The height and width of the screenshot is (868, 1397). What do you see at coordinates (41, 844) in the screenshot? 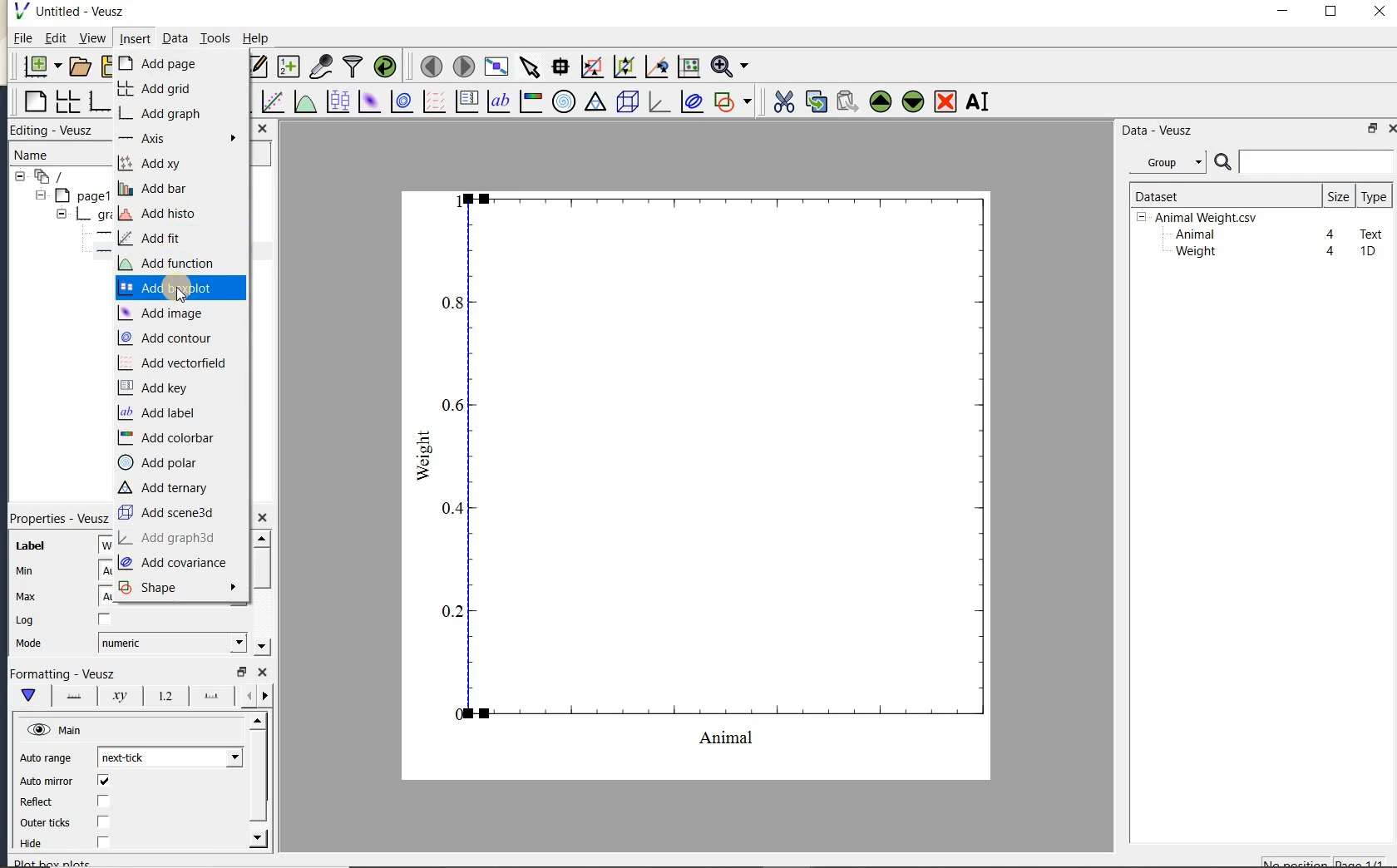
I see `hide` at bounding box center [41, 844].